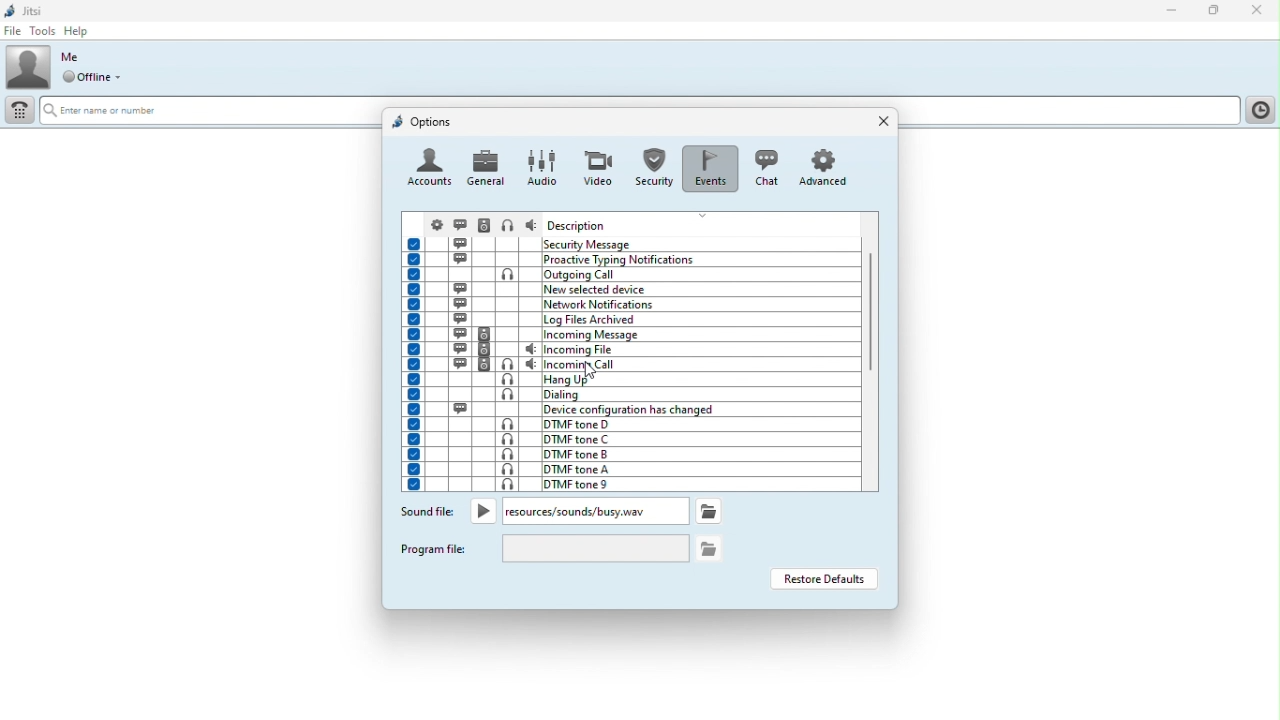  I want to click on Close, so click(1257, 11).